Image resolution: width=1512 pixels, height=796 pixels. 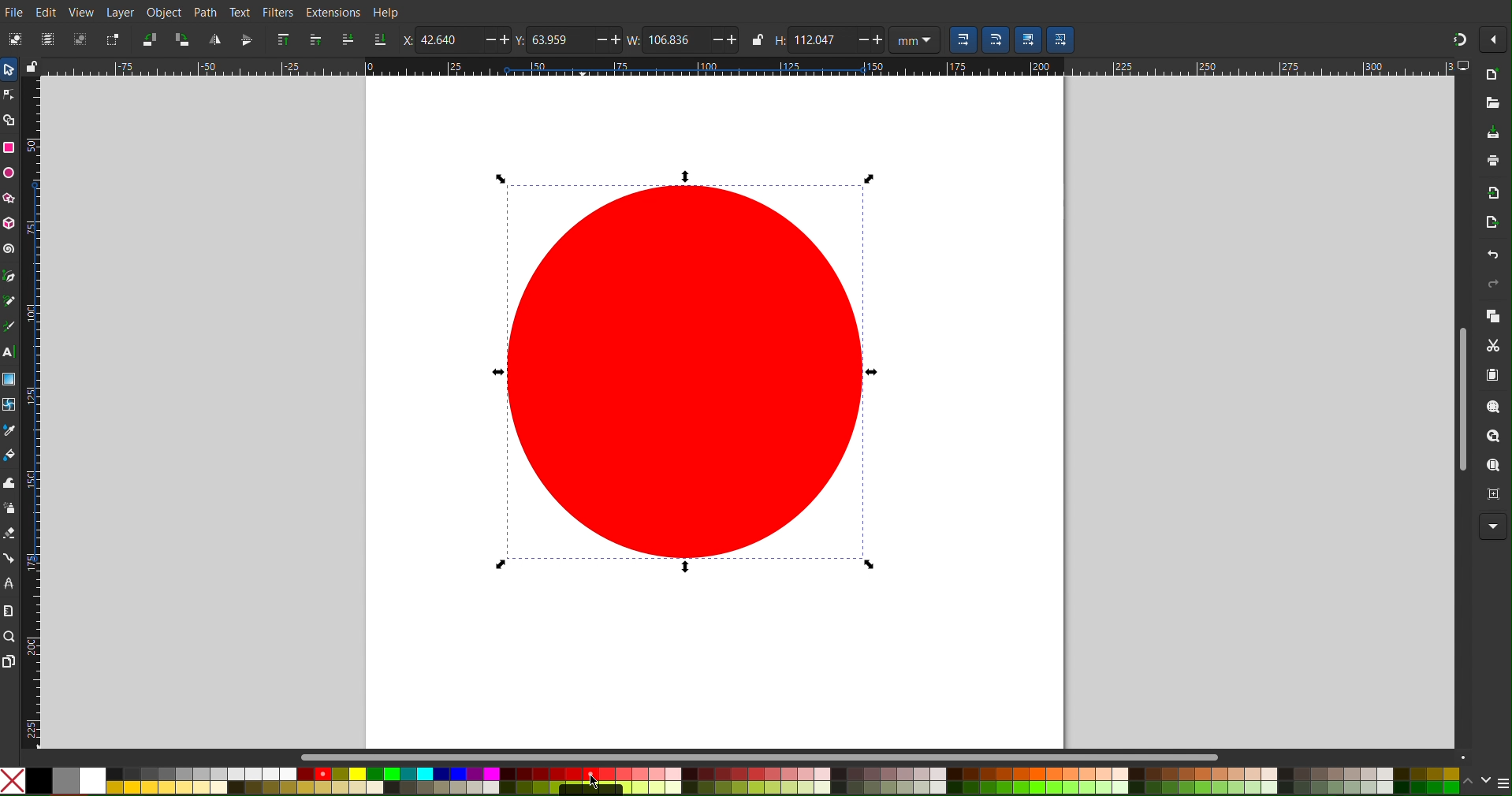 What do you see at coordinates (405, 39) in the screenshot?
I see `X-Coords` at bounding box center [405, 39].